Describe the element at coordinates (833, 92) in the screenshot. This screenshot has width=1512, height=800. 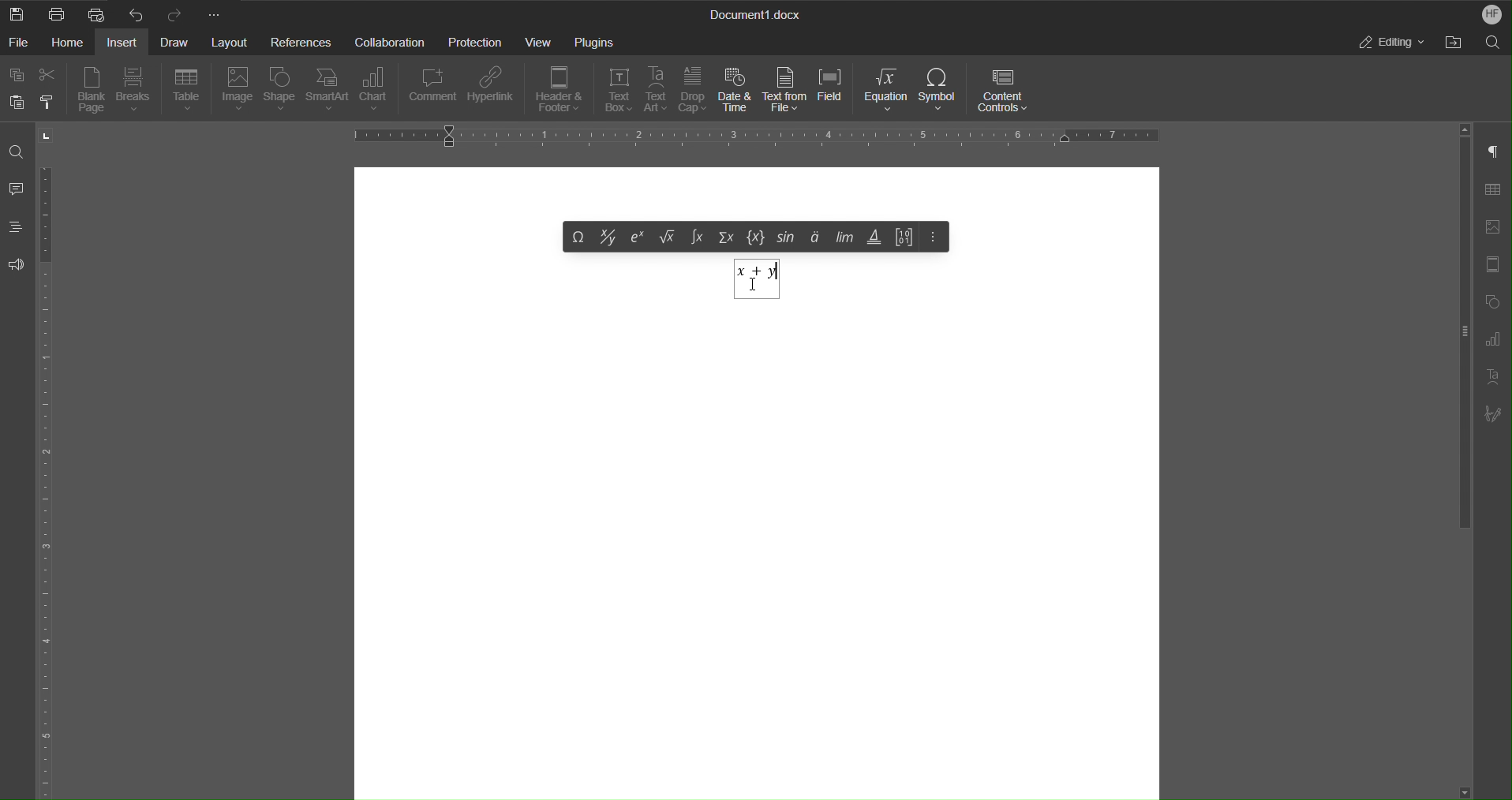
I see `Field` at that location.